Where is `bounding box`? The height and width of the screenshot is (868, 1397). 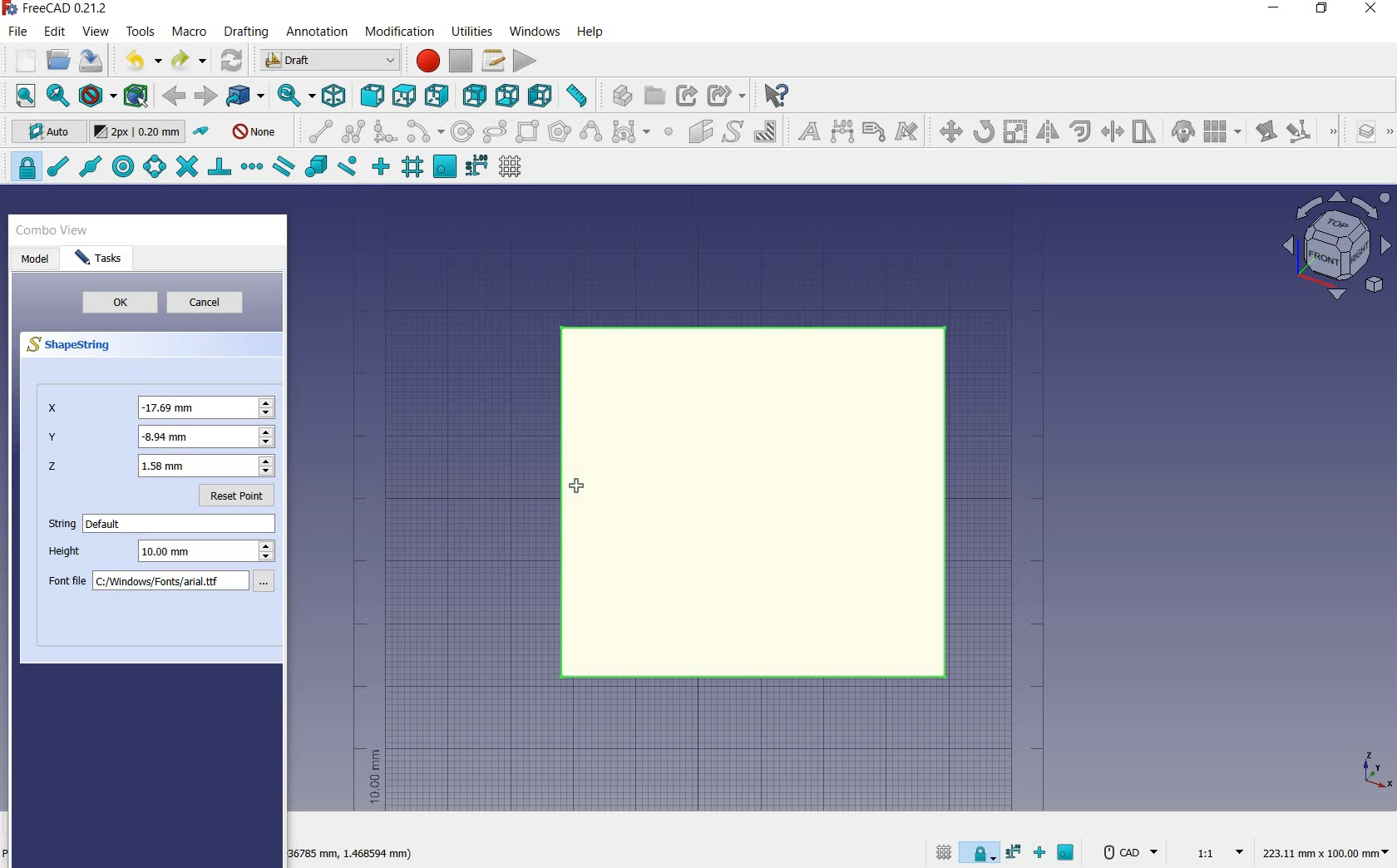 bounding box is located at coordinates (137, 97).